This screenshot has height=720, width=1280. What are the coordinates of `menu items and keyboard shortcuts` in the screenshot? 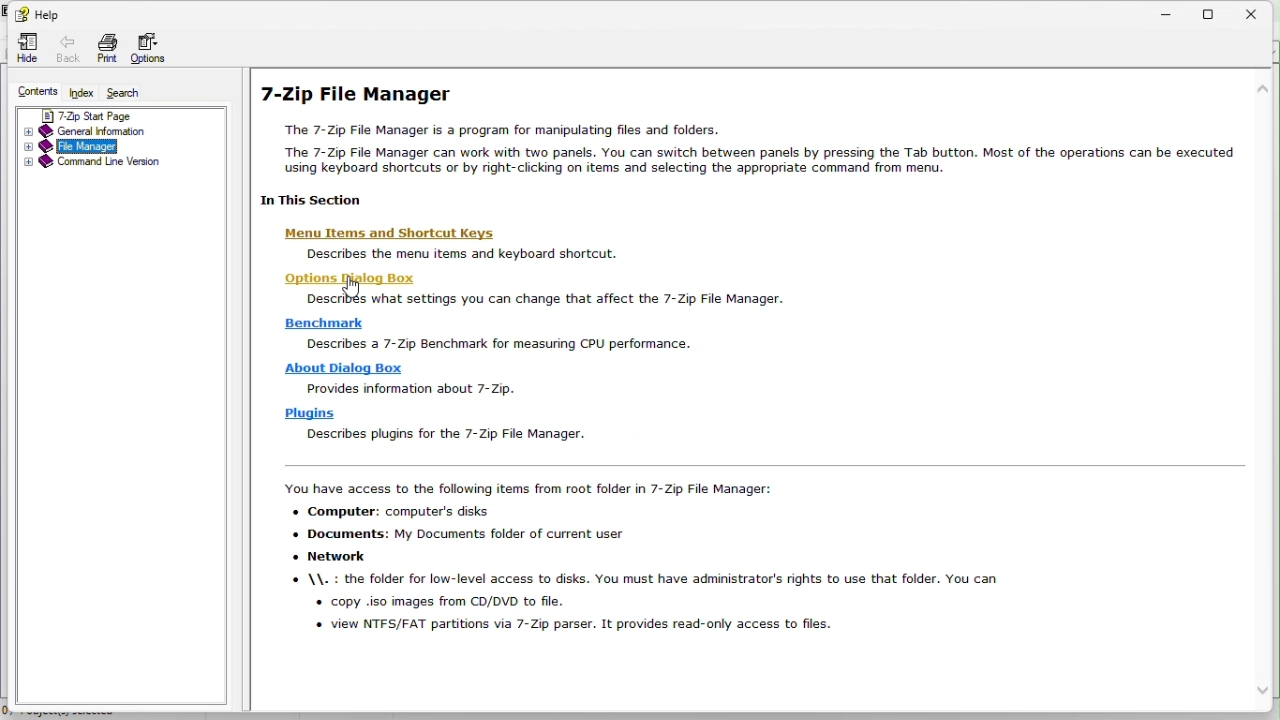 It's located at (451, 254).